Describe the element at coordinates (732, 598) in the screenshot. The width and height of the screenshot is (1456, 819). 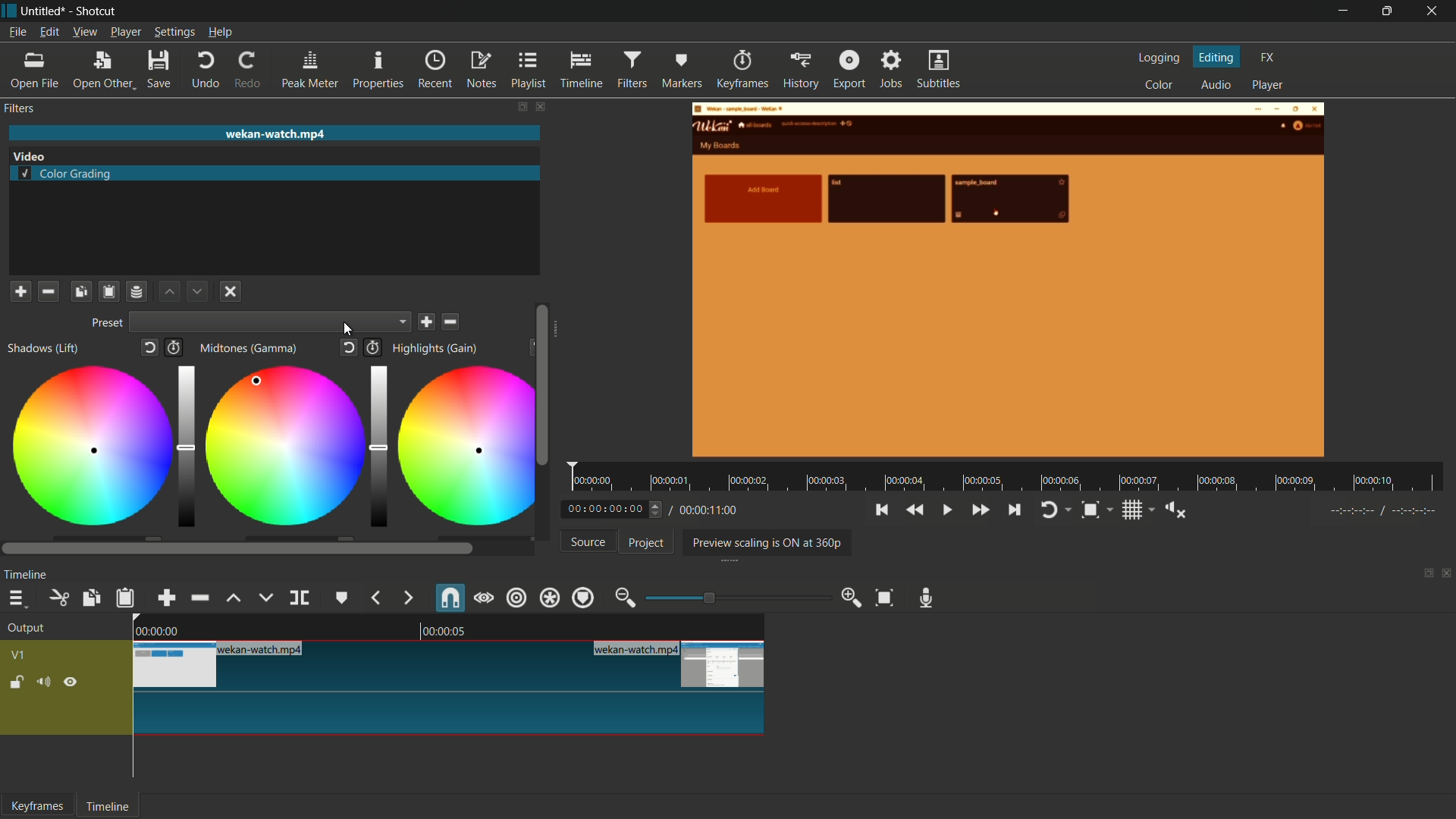
I see `adjustment bar` at that location.